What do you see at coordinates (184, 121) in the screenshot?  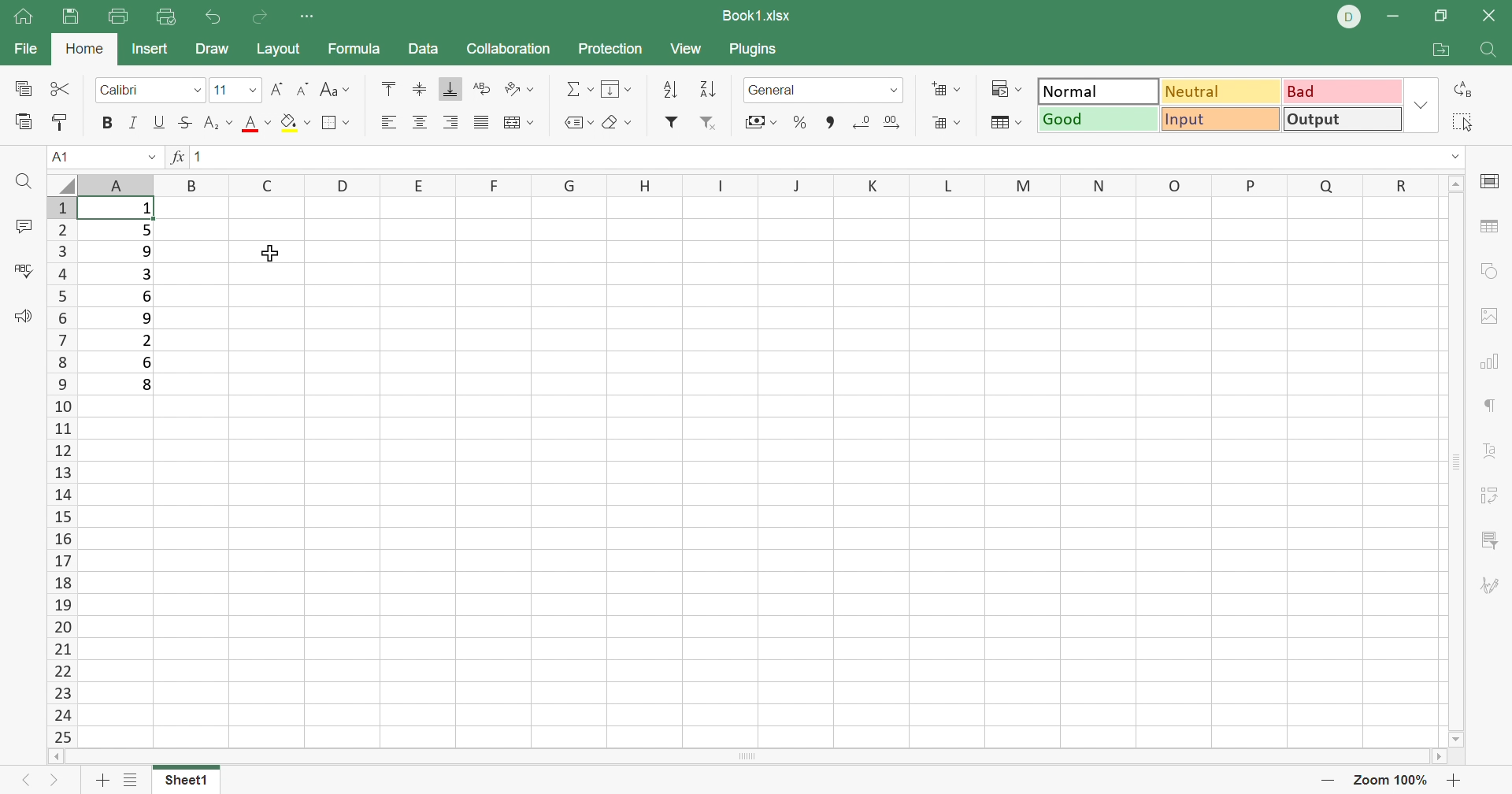 I see `Strikethrough` at bounding box center [184, 121].